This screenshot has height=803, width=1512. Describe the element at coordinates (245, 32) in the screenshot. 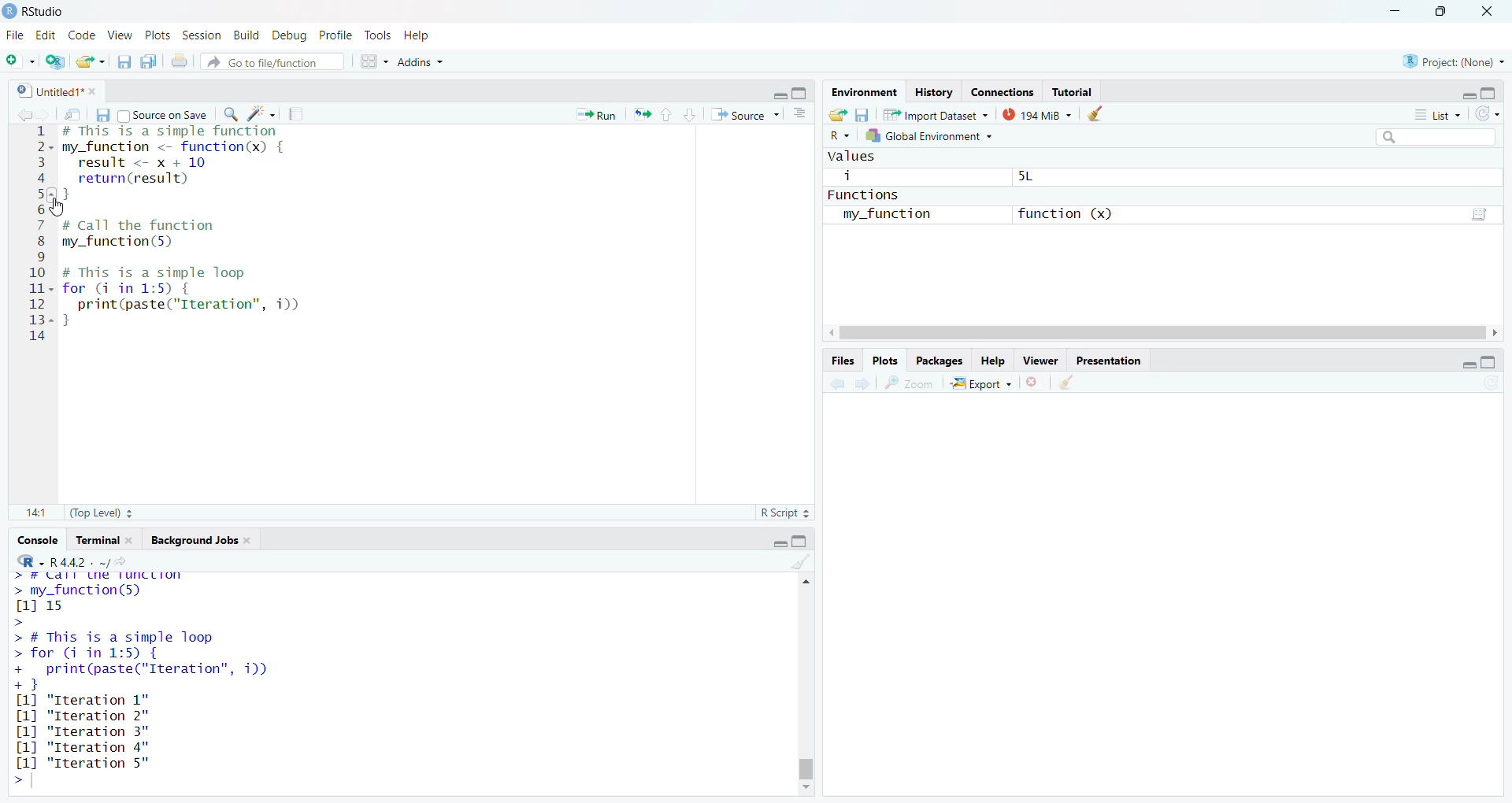

I see `build` at that location.